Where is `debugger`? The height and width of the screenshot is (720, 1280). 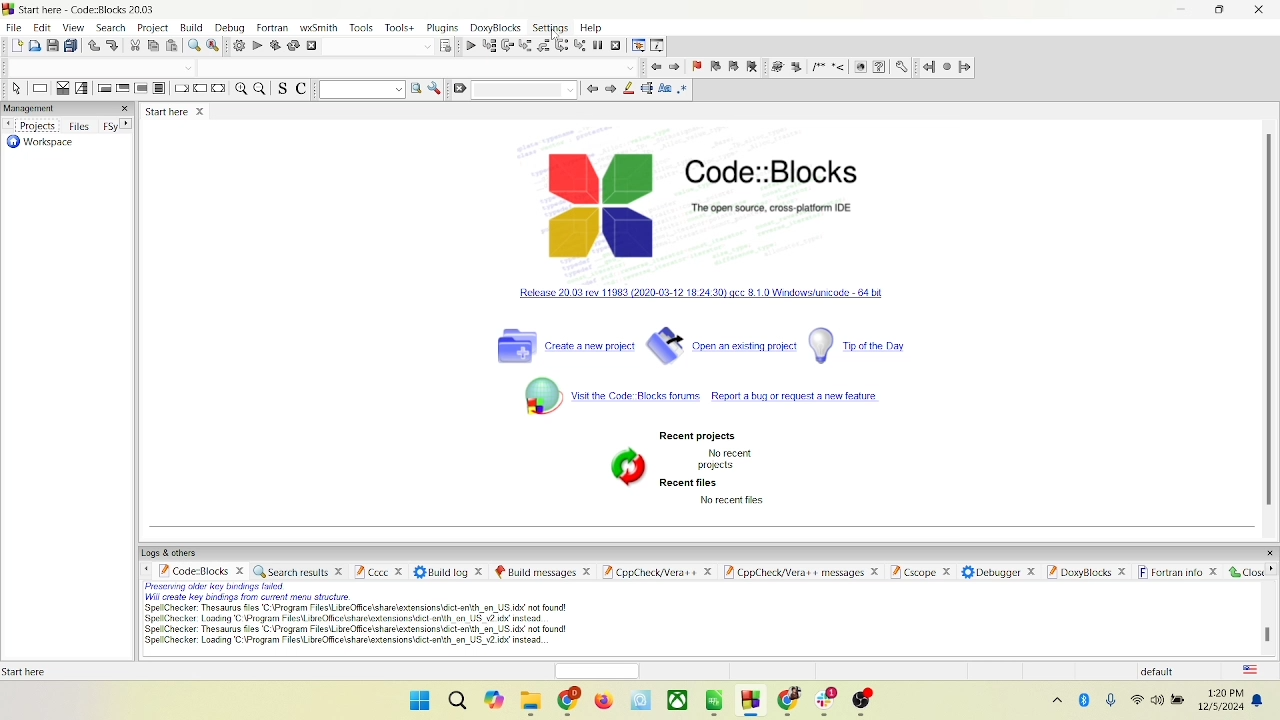
debugger is located at coordinates (996, 573).